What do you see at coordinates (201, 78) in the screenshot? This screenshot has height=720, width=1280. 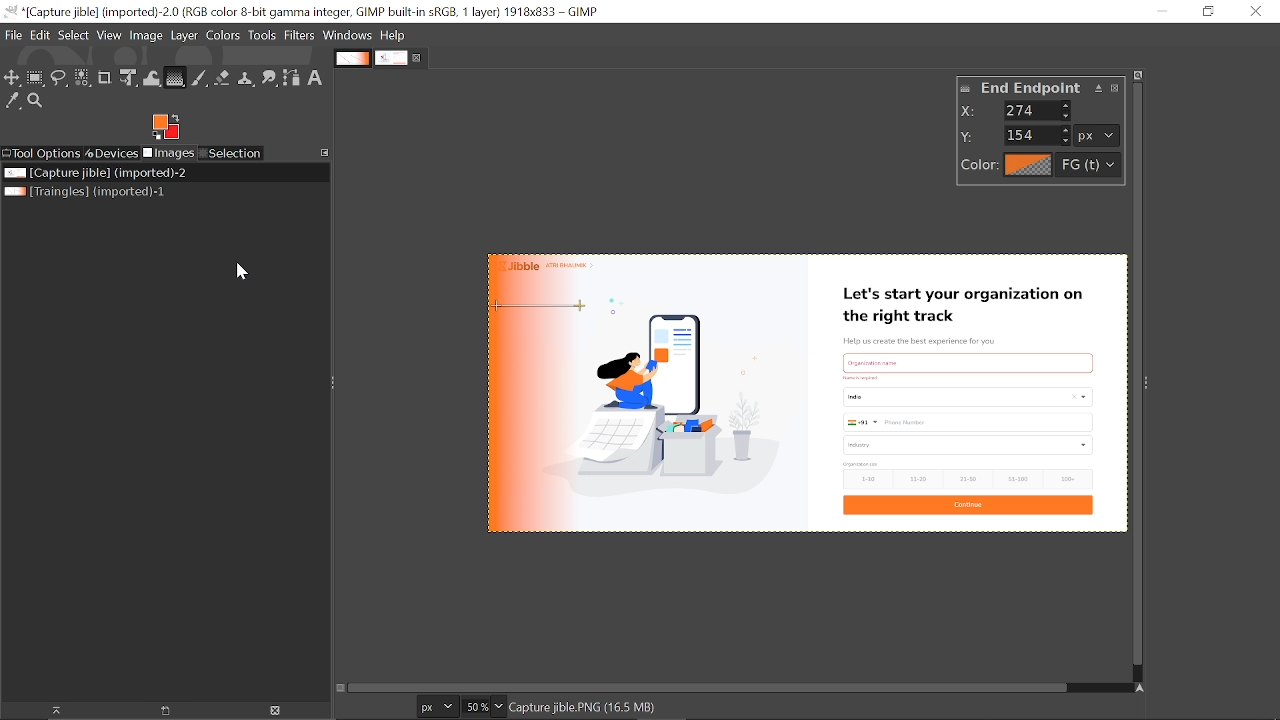 I see `Paintbrush tool` at bounding box center [201, 78].